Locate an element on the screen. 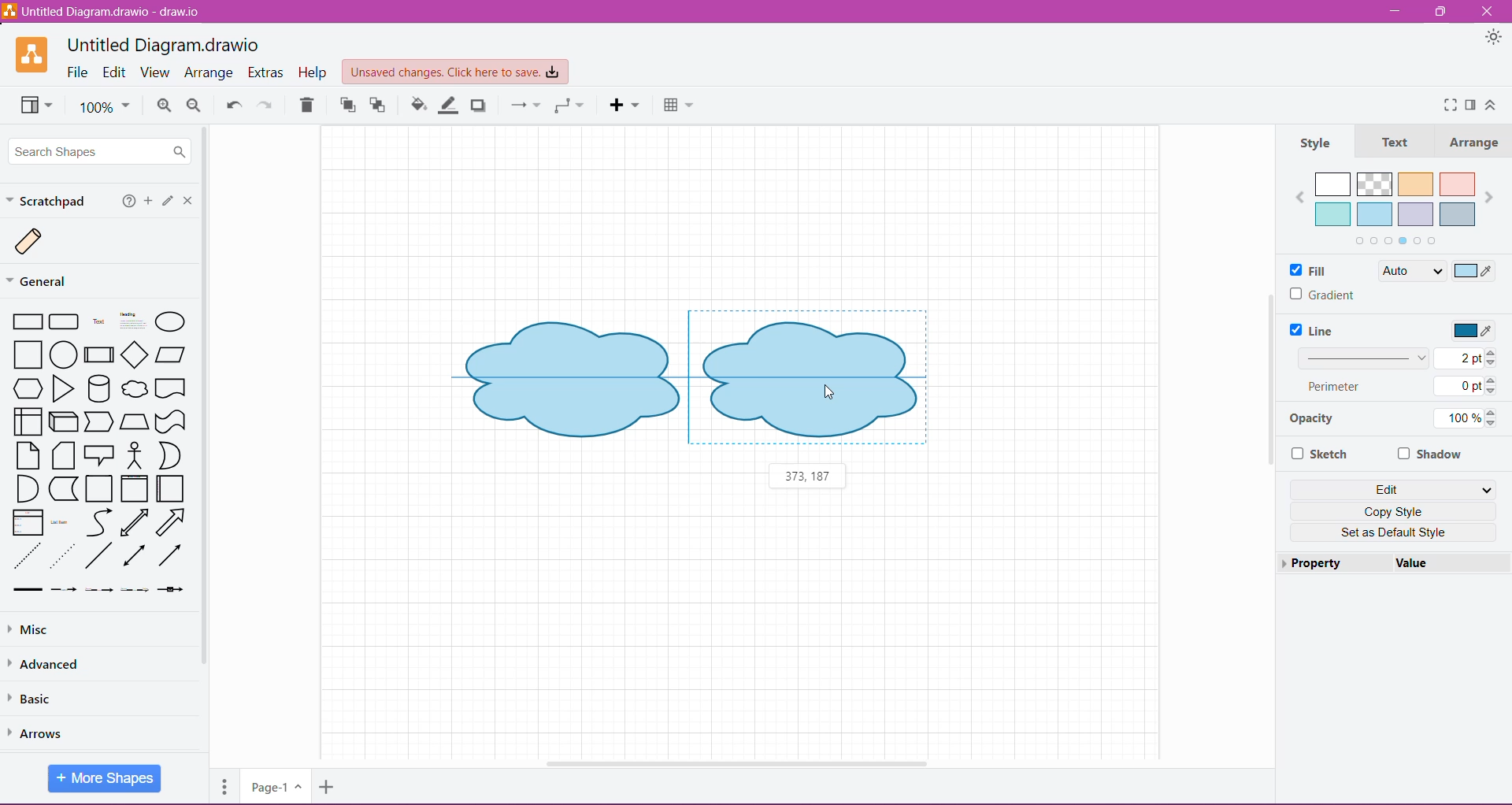 This screenshot has height=805, width=1512. Close is located at coordinates (1488, 10).